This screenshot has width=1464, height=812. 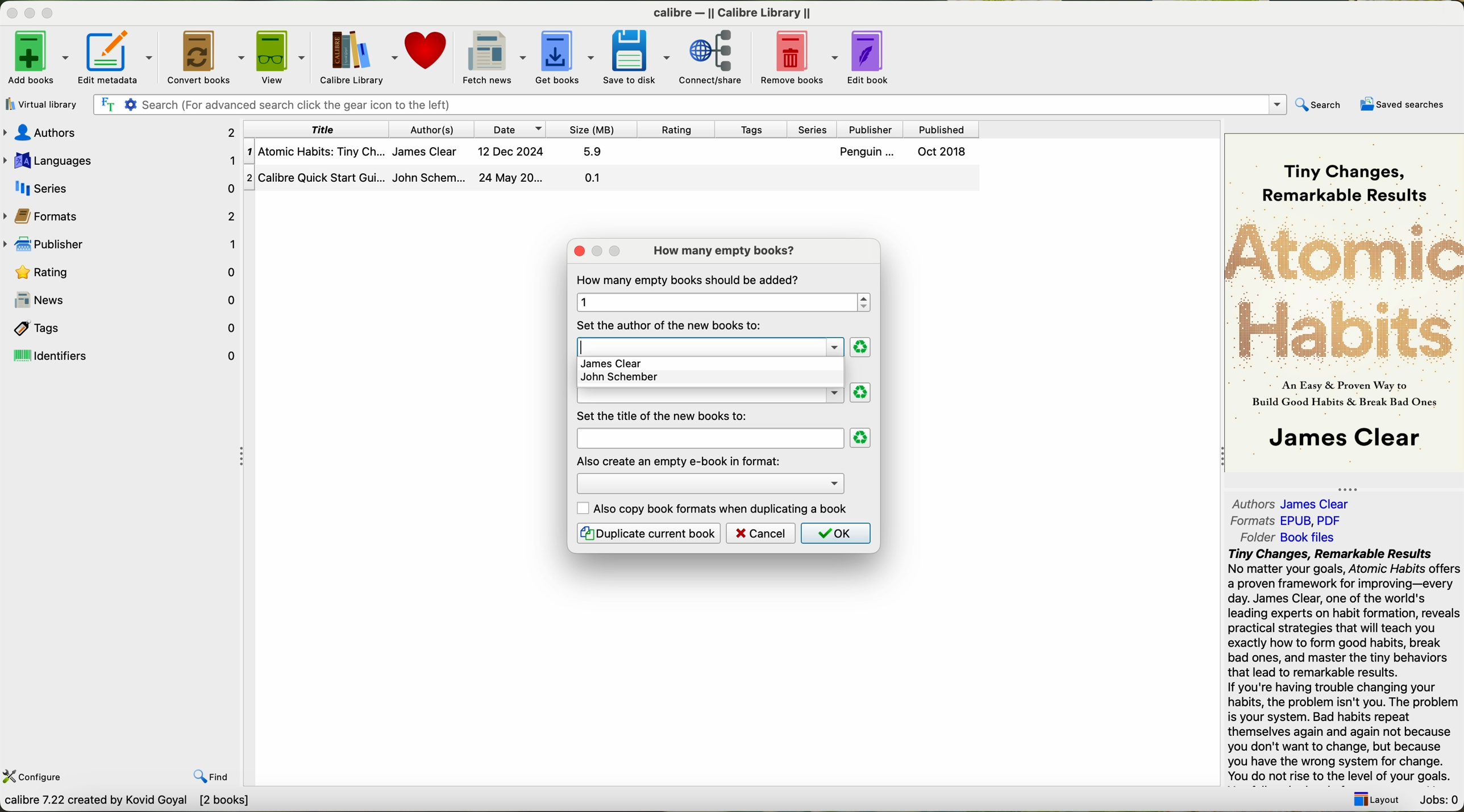 What do you see at coordinates (680, 460) in the screenshot?
I see `also create and empy ebook in format` at bounding box center [680, 460].